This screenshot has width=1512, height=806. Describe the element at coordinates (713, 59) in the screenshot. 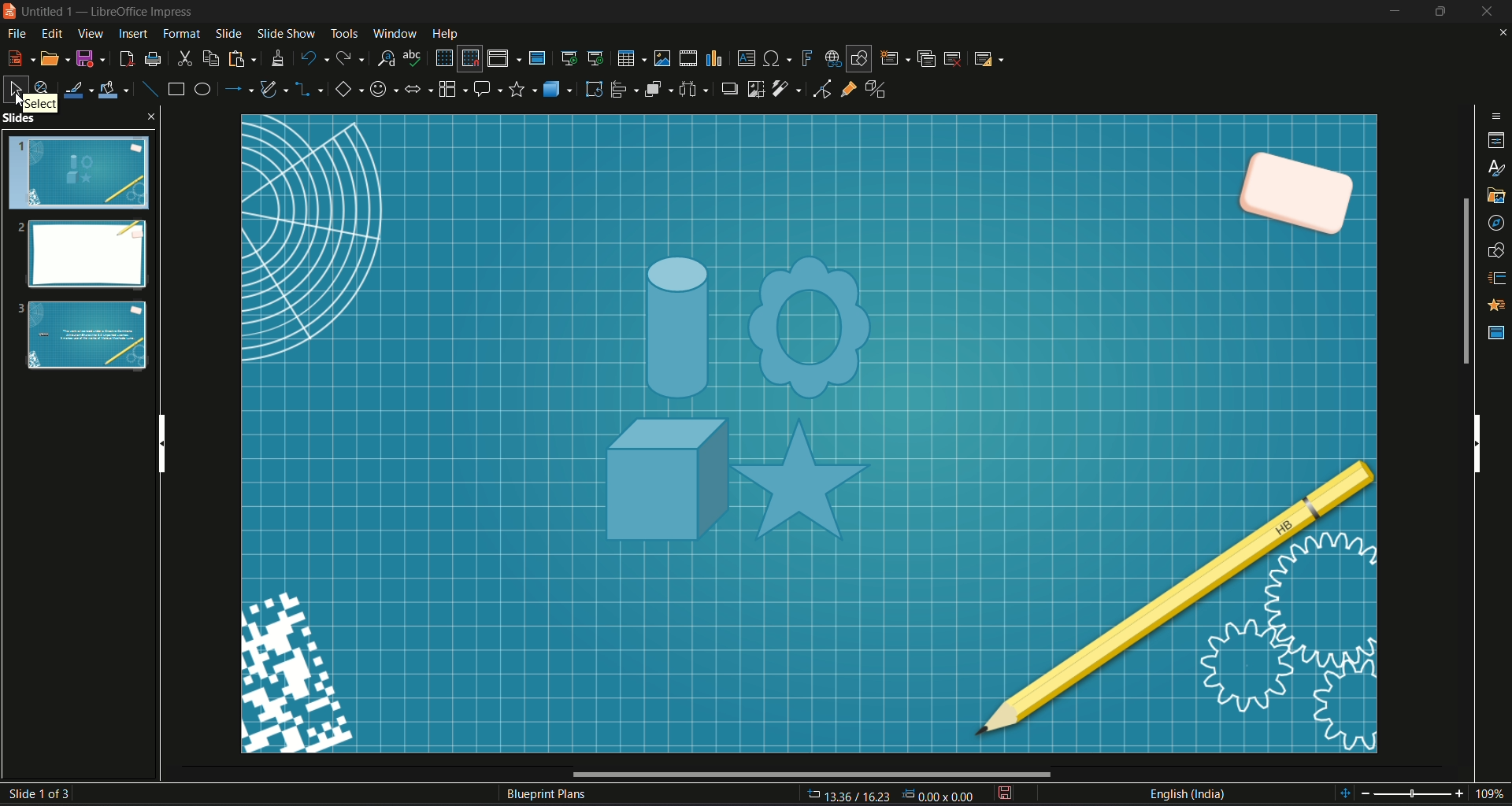

I see `insert chart` at that location.